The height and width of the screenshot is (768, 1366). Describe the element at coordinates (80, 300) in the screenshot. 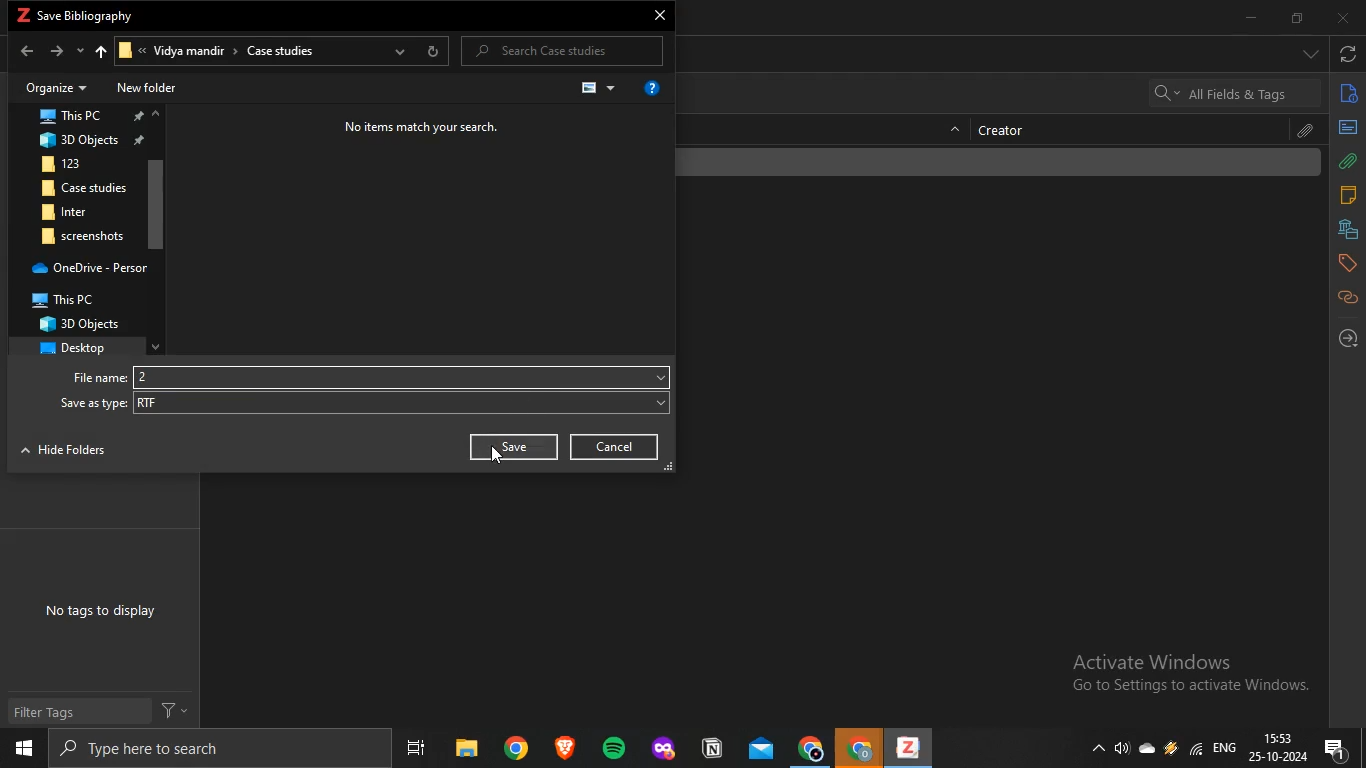

I see `? This PC` at that location.